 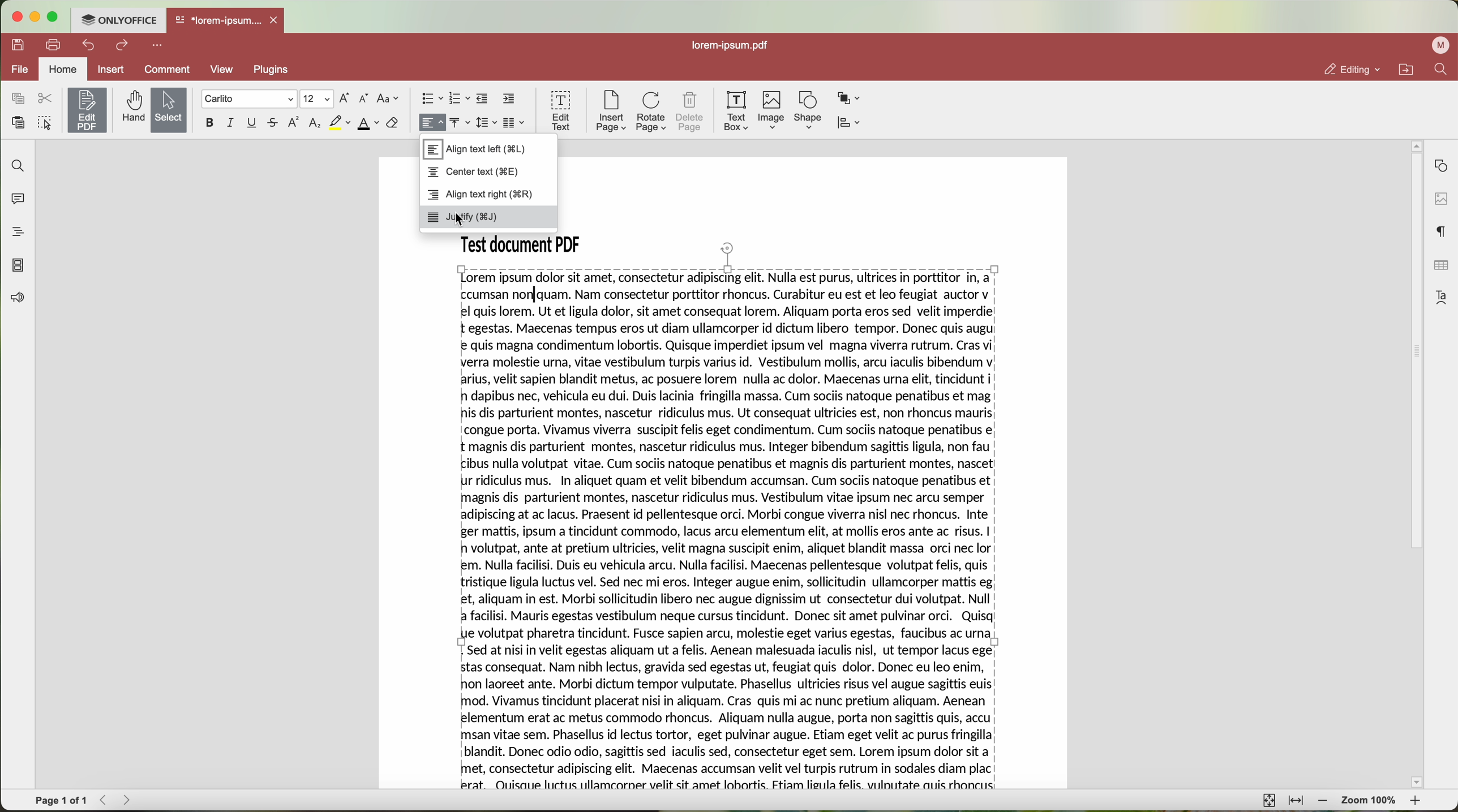 I want to click on file, so click(x=18, y=68).